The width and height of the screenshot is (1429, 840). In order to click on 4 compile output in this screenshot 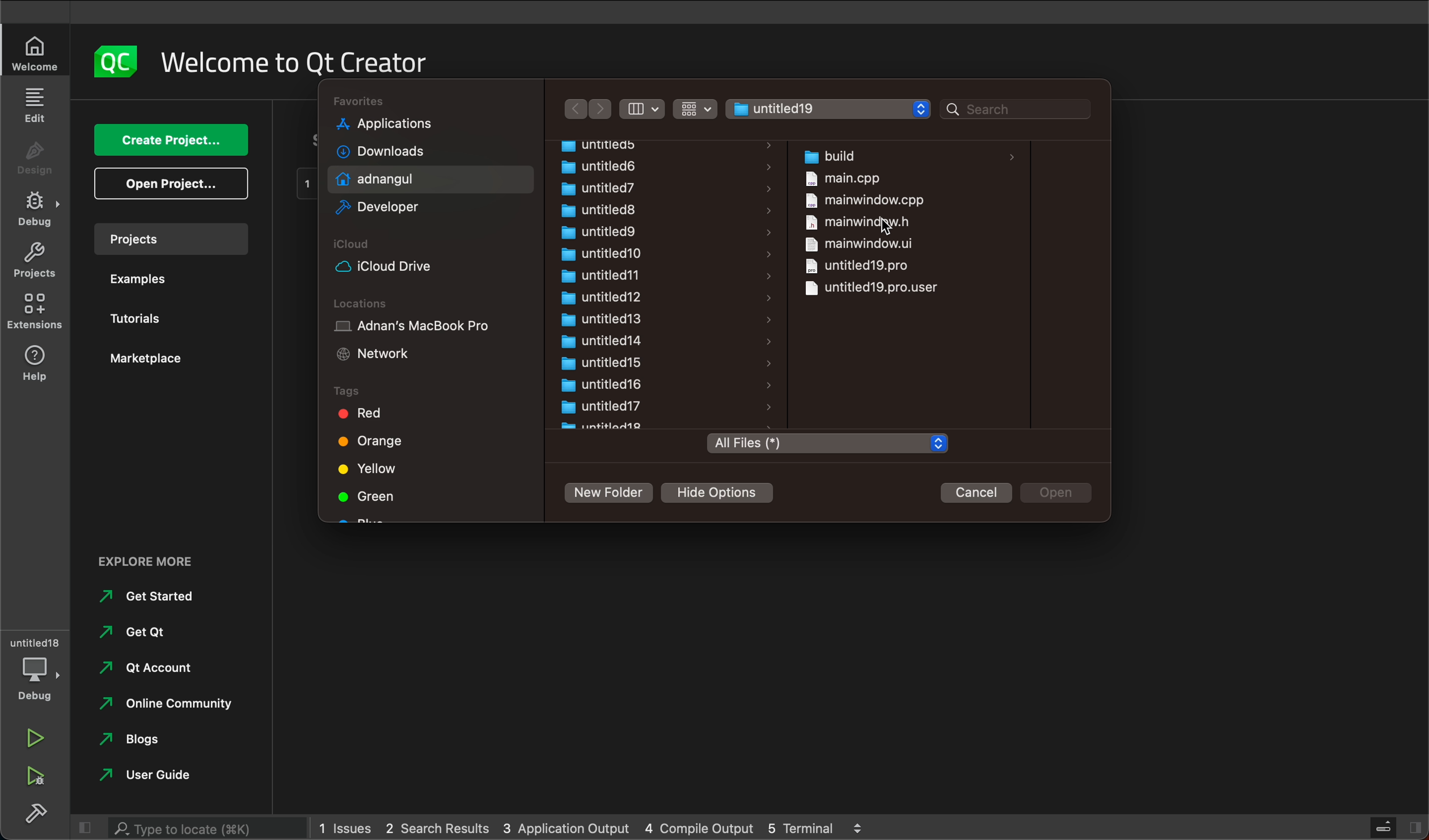, I will do `click(695, 827)`.